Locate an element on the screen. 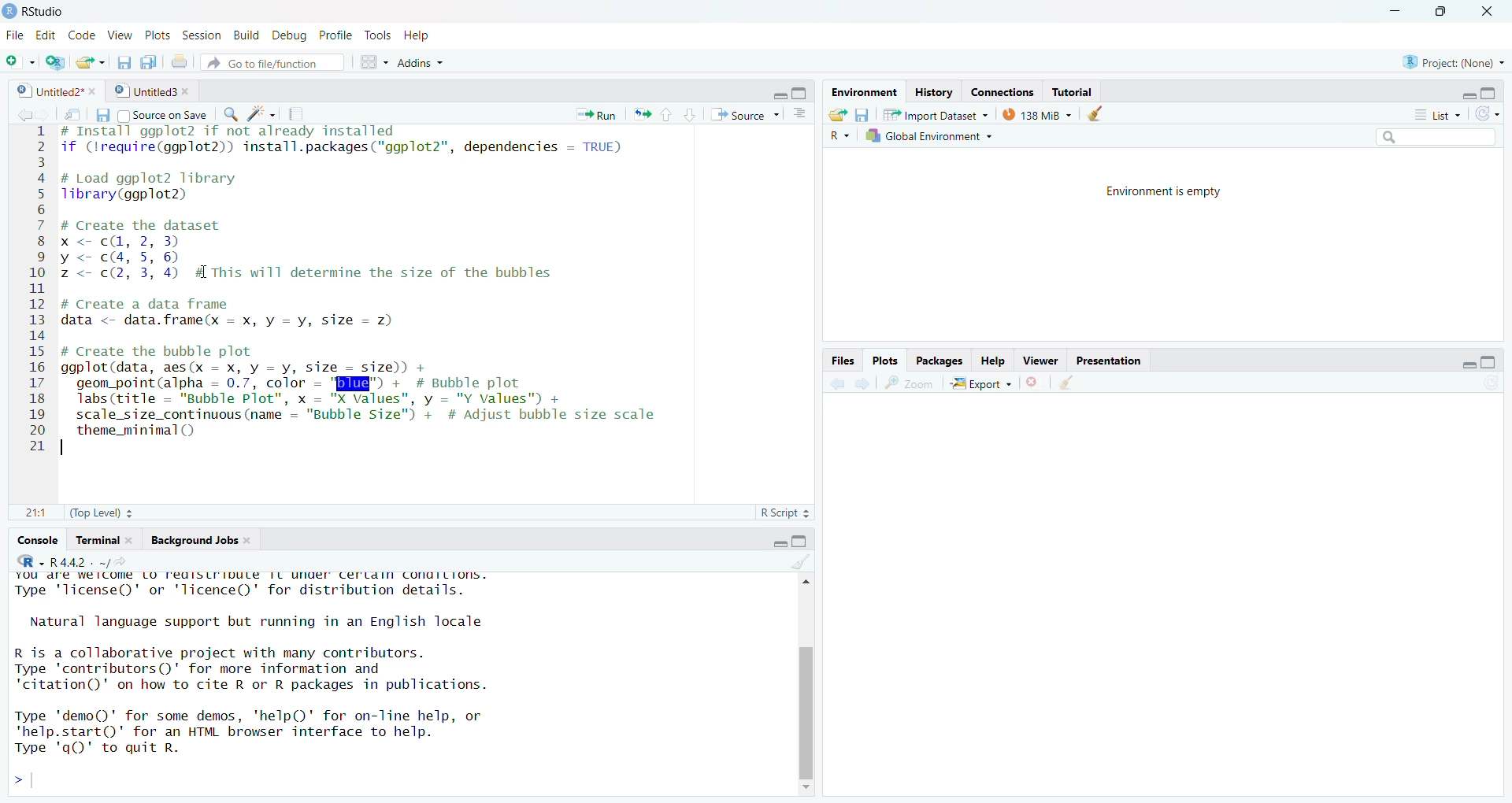 The height and width of the screenshot is (803, 1512). New file is located at coordinates (17, 57).